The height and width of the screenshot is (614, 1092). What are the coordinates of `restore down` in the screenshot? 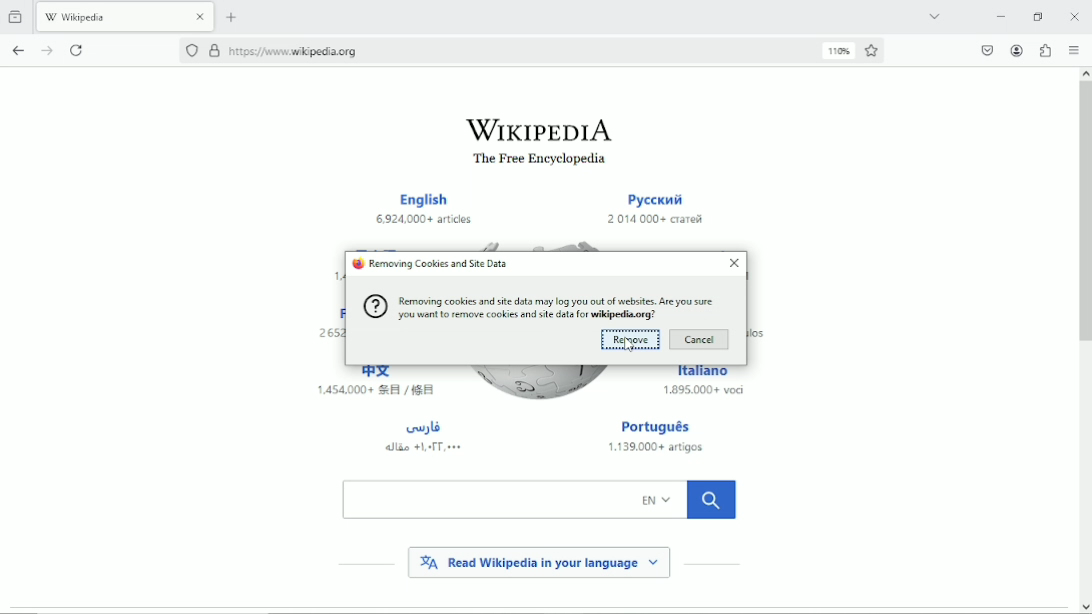 It's located at (1039, 16).